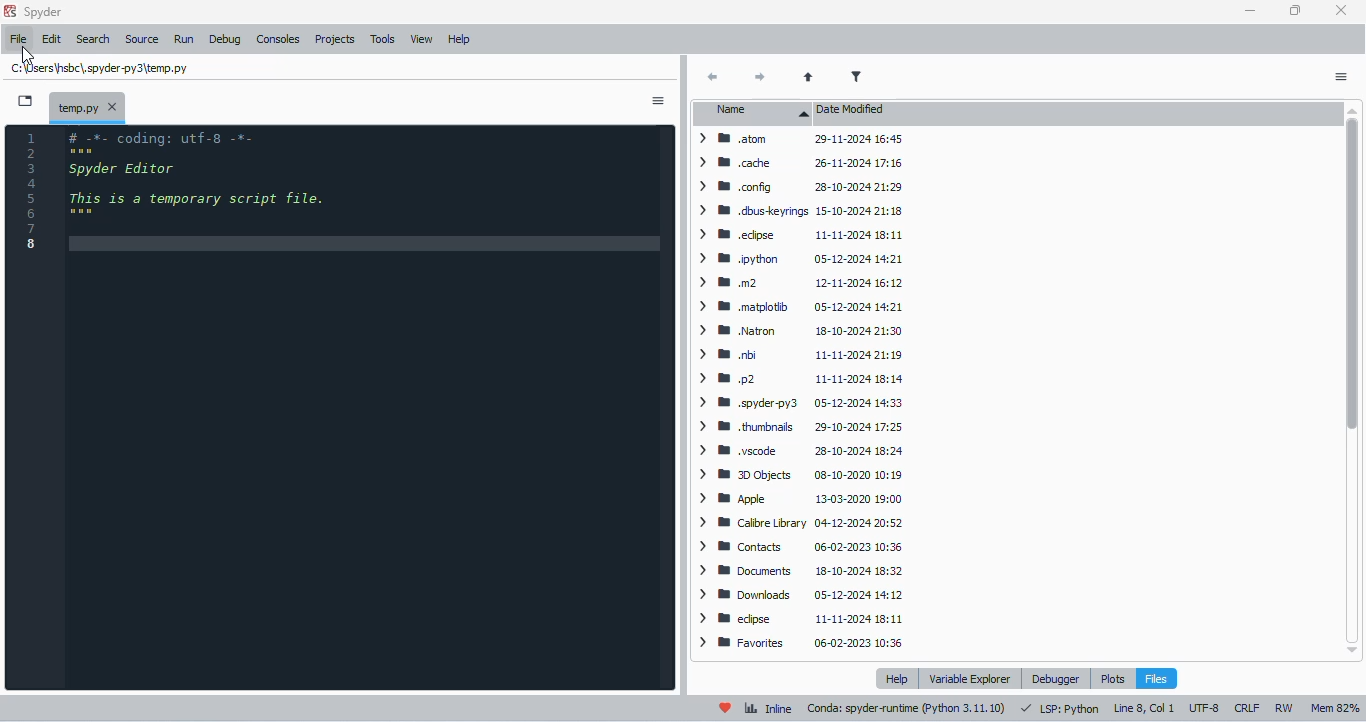  What do you see at coordinates (798, 595) in the screenshot?
I see `> B® Downloads 05-12-2024 14:12` at bounding box center [798, 595].